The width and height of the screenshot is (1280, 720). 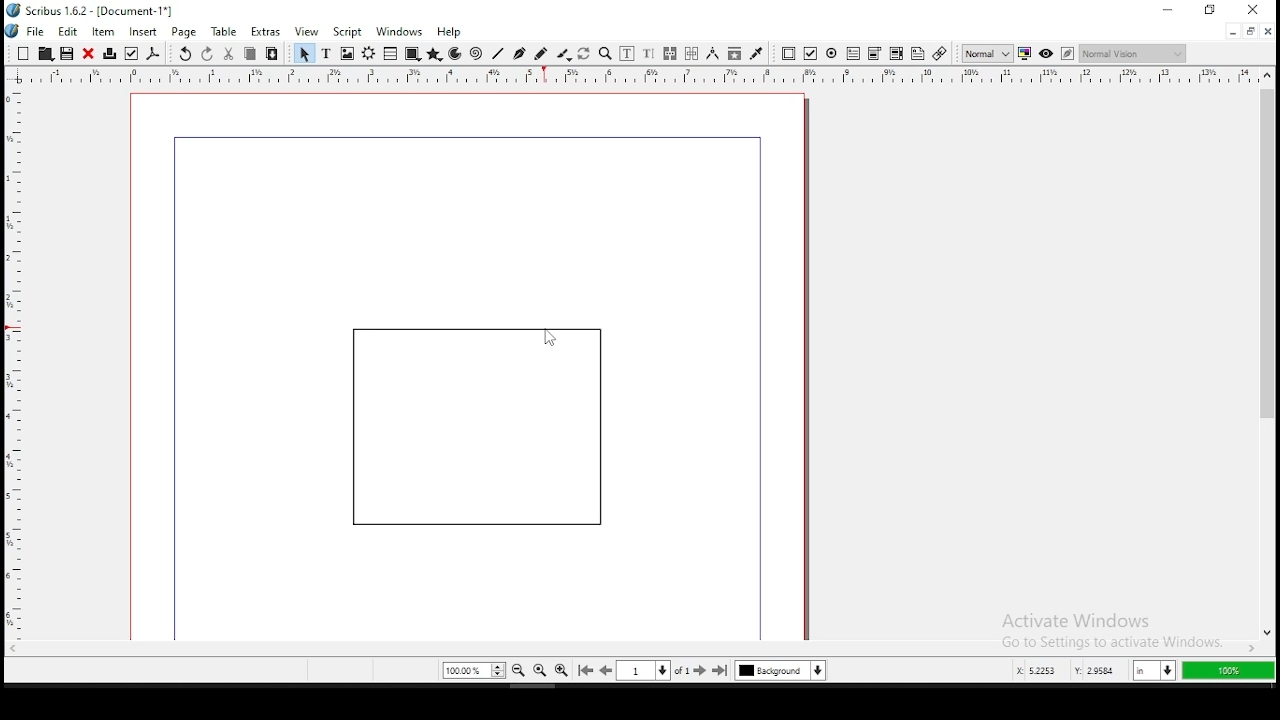 I want to click on zoom in or out, so click(x=605, y=54).